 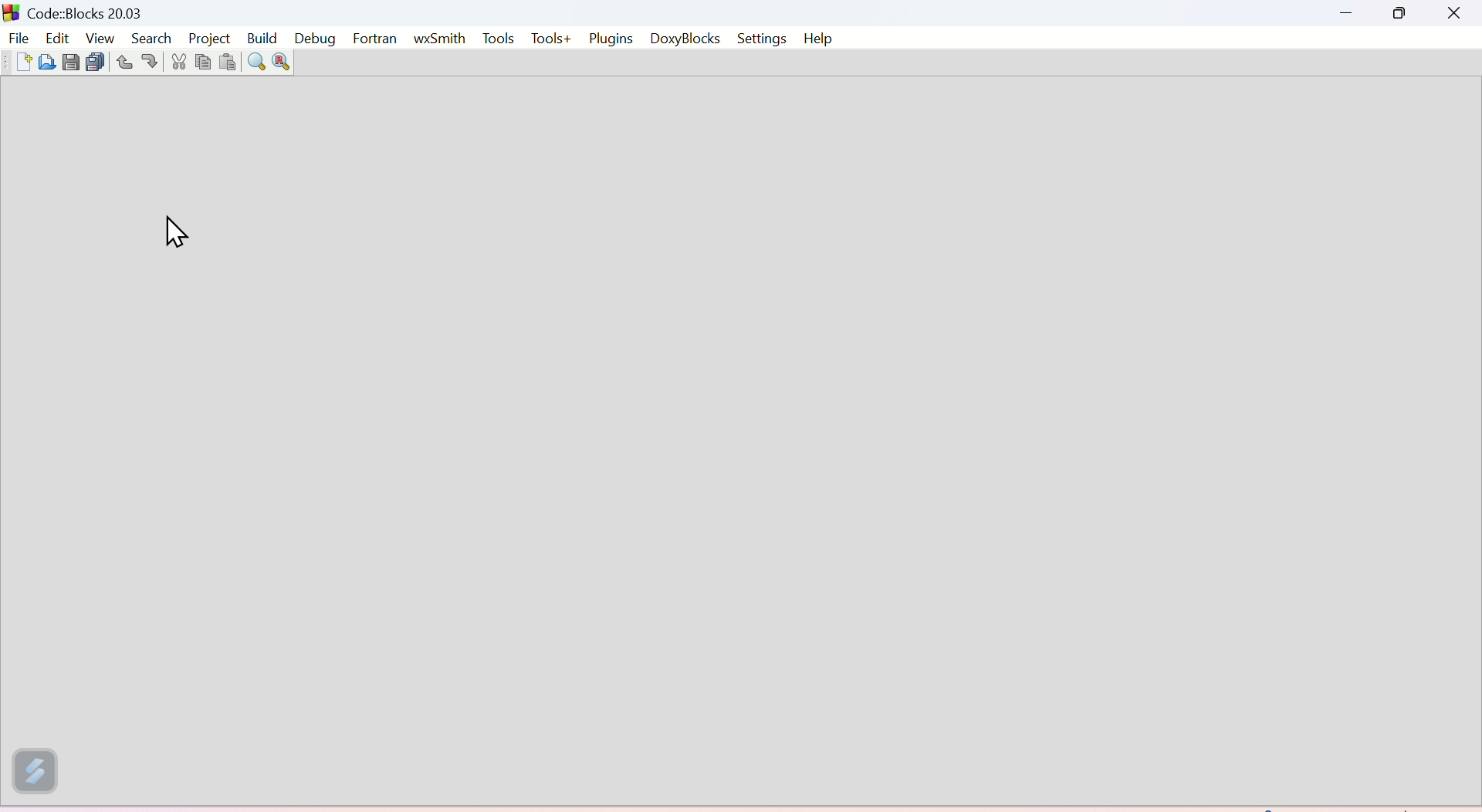 I want to click on minimise, so click(x=1348, y=13).